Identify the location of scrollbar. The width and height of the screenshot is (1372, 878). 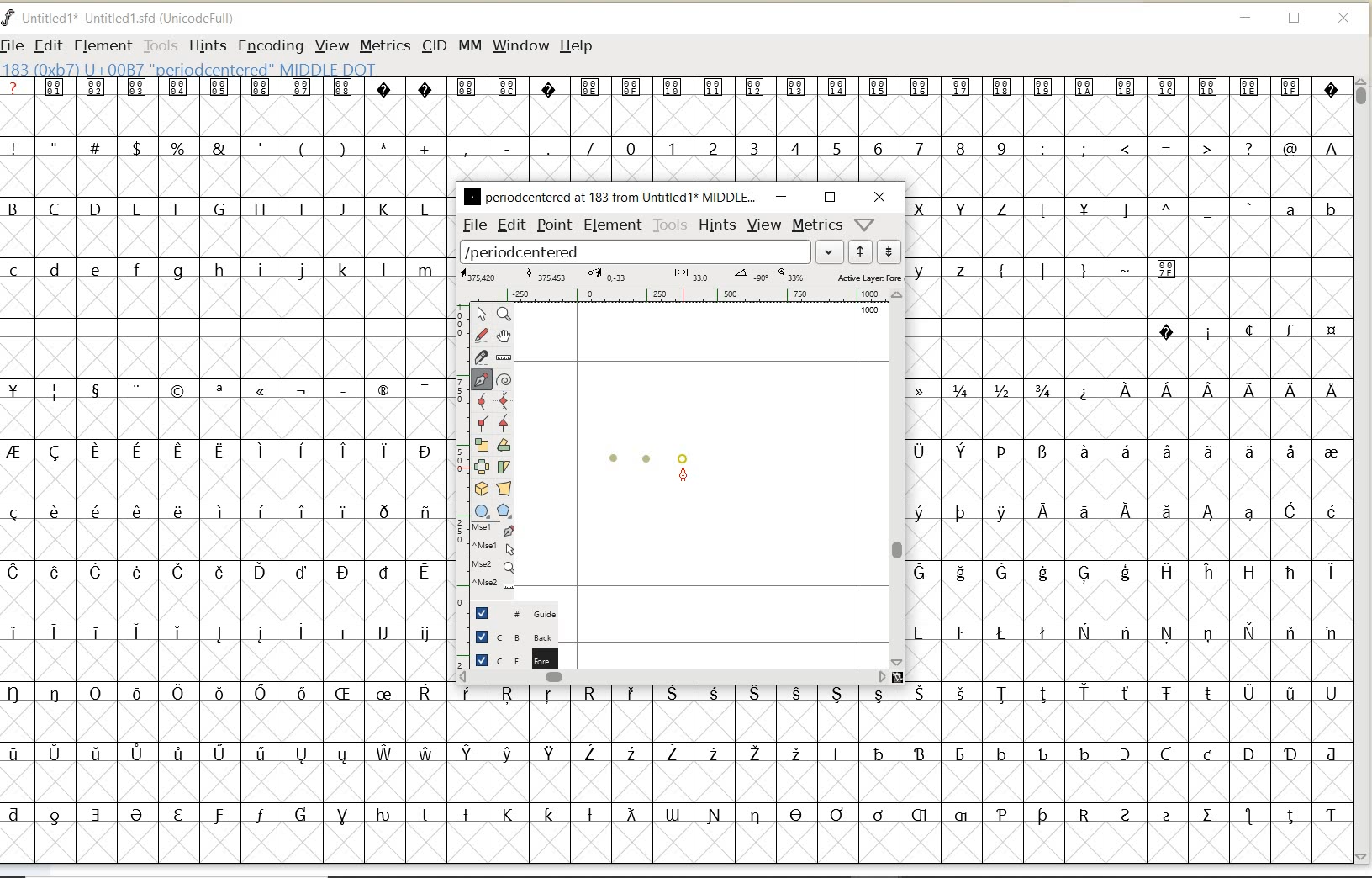
(899, 478).